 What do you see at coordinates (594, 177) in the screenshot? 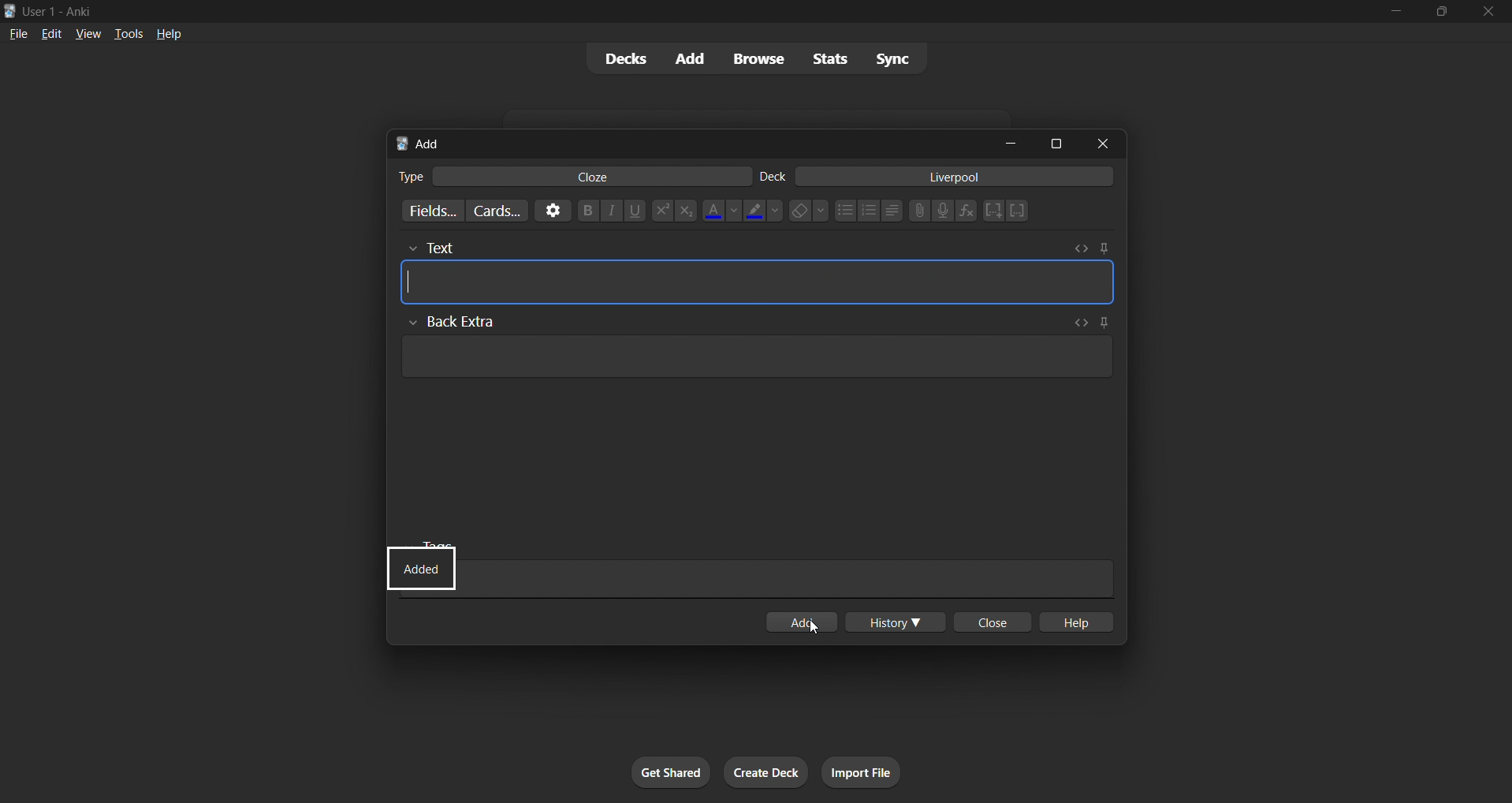
I see `cloze card type` at bounding box center [594, 177].